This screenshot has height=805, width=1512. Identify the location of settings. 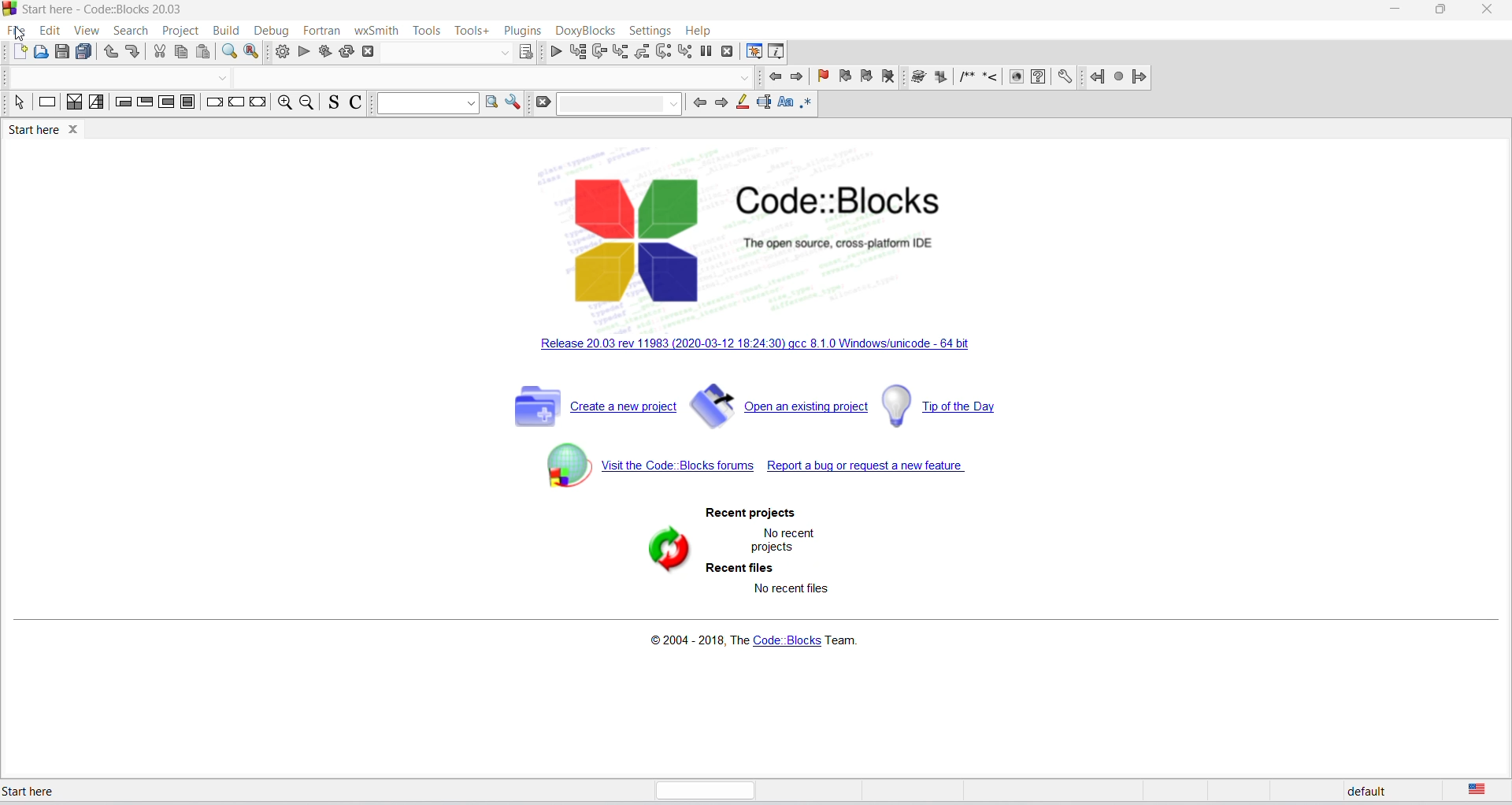
(653, 31).